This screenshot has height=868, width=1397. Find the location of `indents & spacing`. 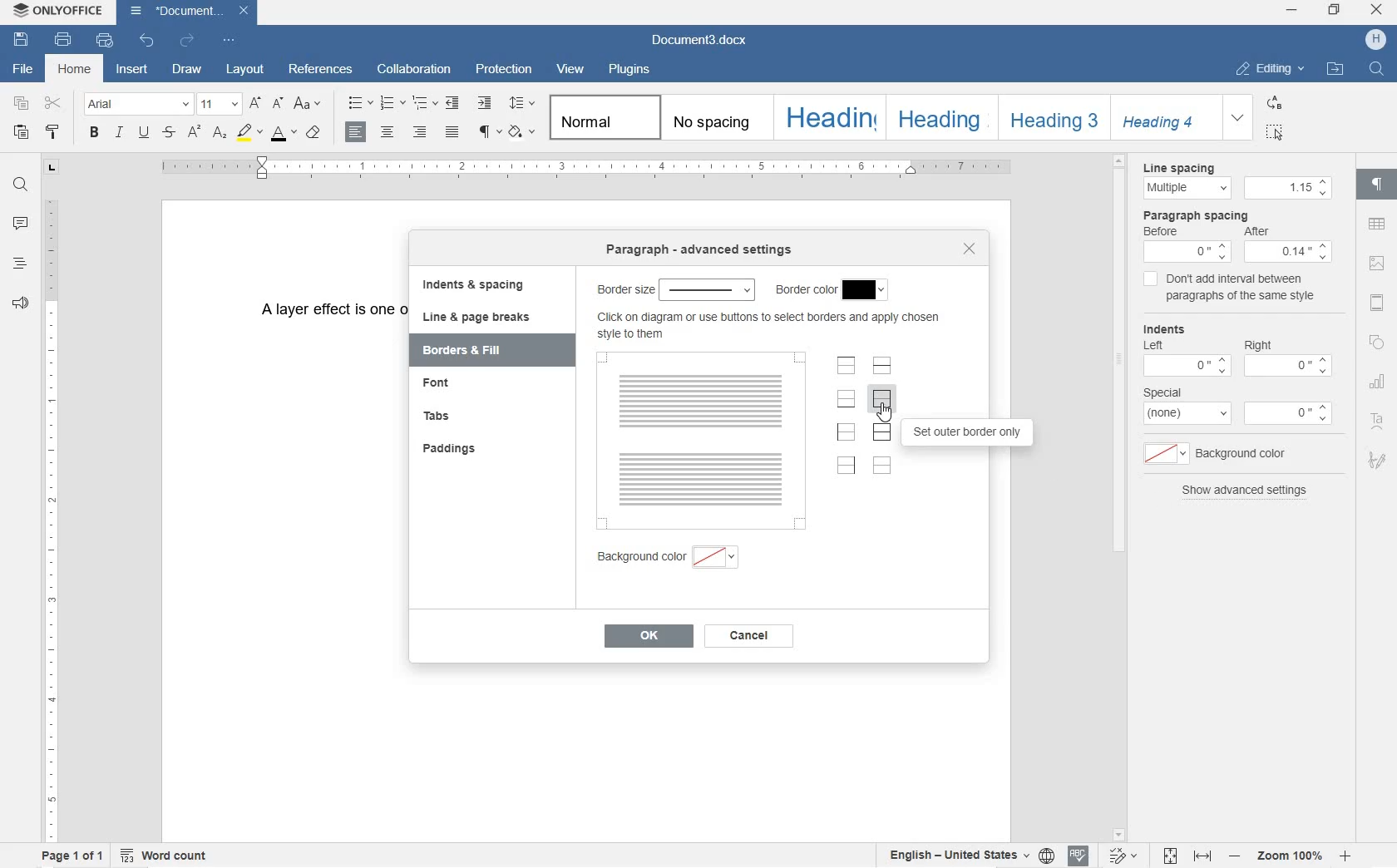

indents & spacing is located at coordinates (478, 284).